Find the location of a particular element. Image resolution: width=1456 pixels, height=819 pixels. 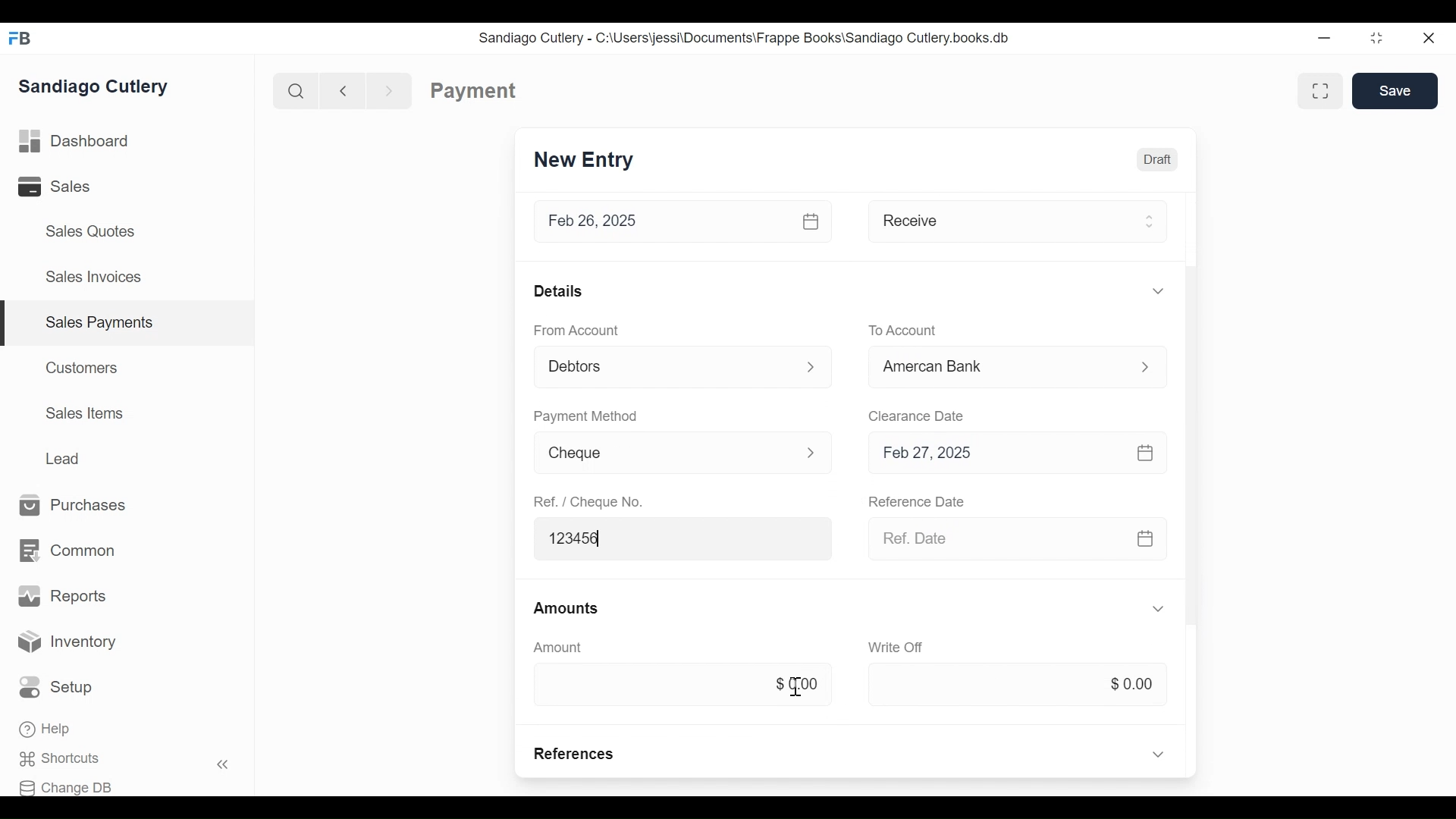

Sales Invoices is located at coordinates (93, 278).